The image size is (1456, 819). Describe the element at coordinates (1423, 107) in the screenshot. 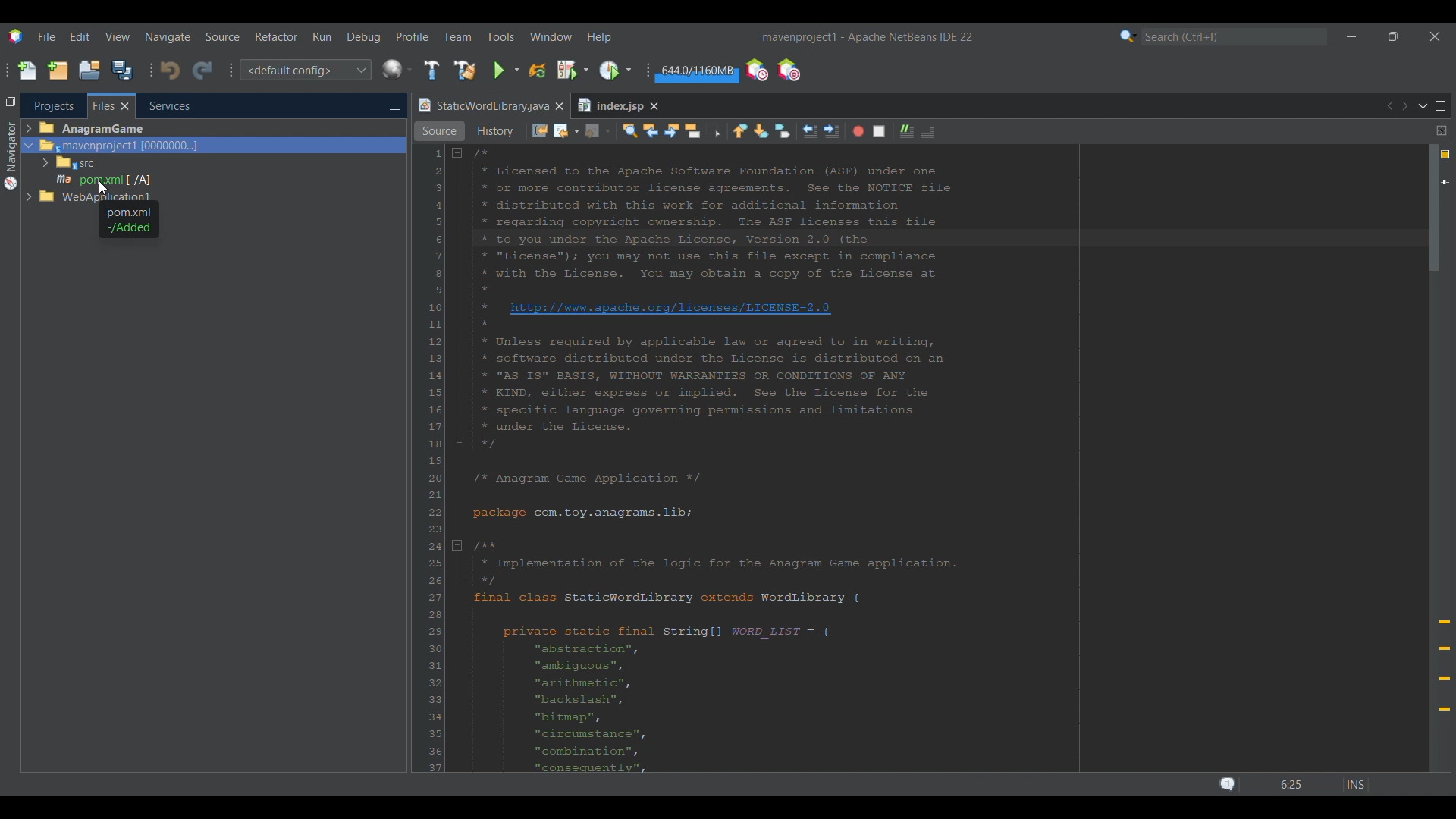

I see `Show opened documents list` at that location.